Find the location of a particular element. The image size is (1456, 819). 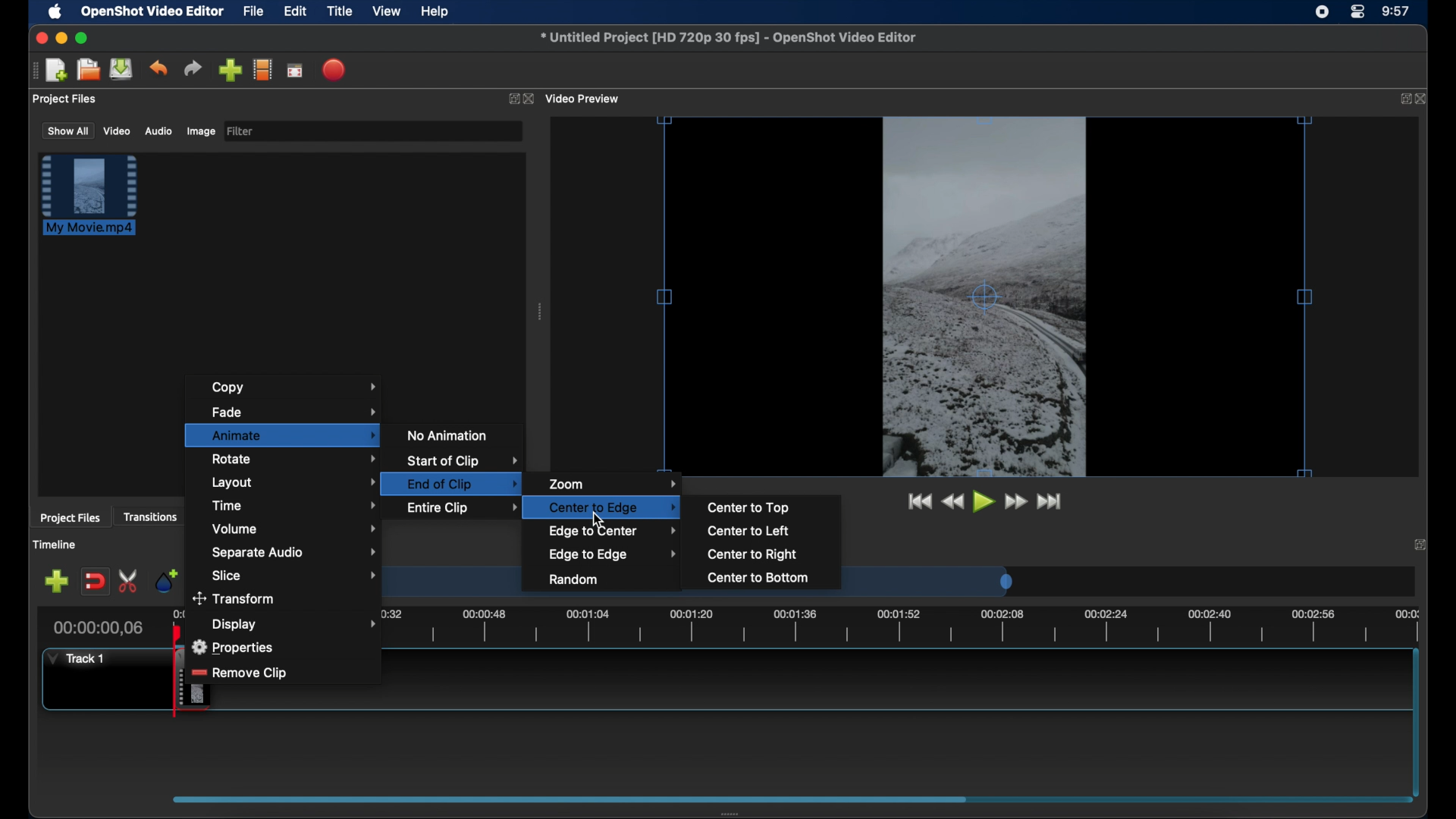

start of clip menu is located at coordinates (462, 461).